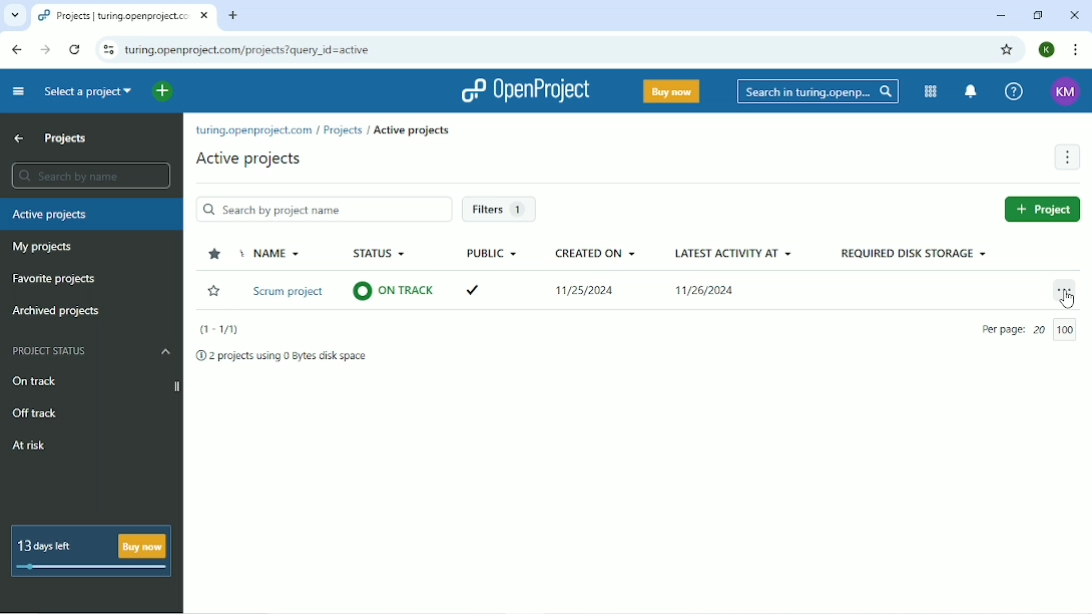  Describe the element at coordinates (816, 91) in the screenshot. I see `Search` at that location.